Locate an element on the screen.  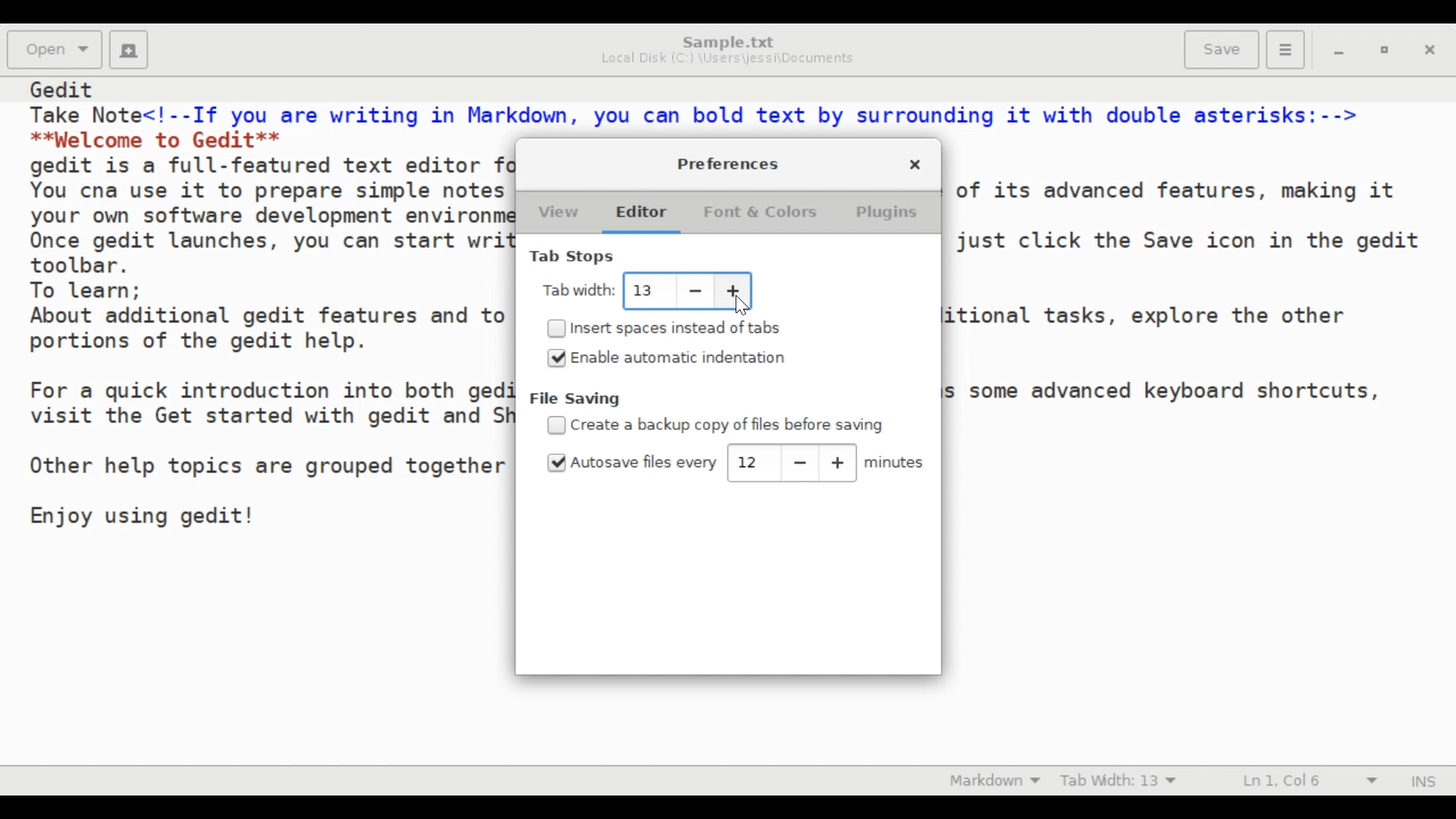
File Saving is located at coordinates (581, 399).